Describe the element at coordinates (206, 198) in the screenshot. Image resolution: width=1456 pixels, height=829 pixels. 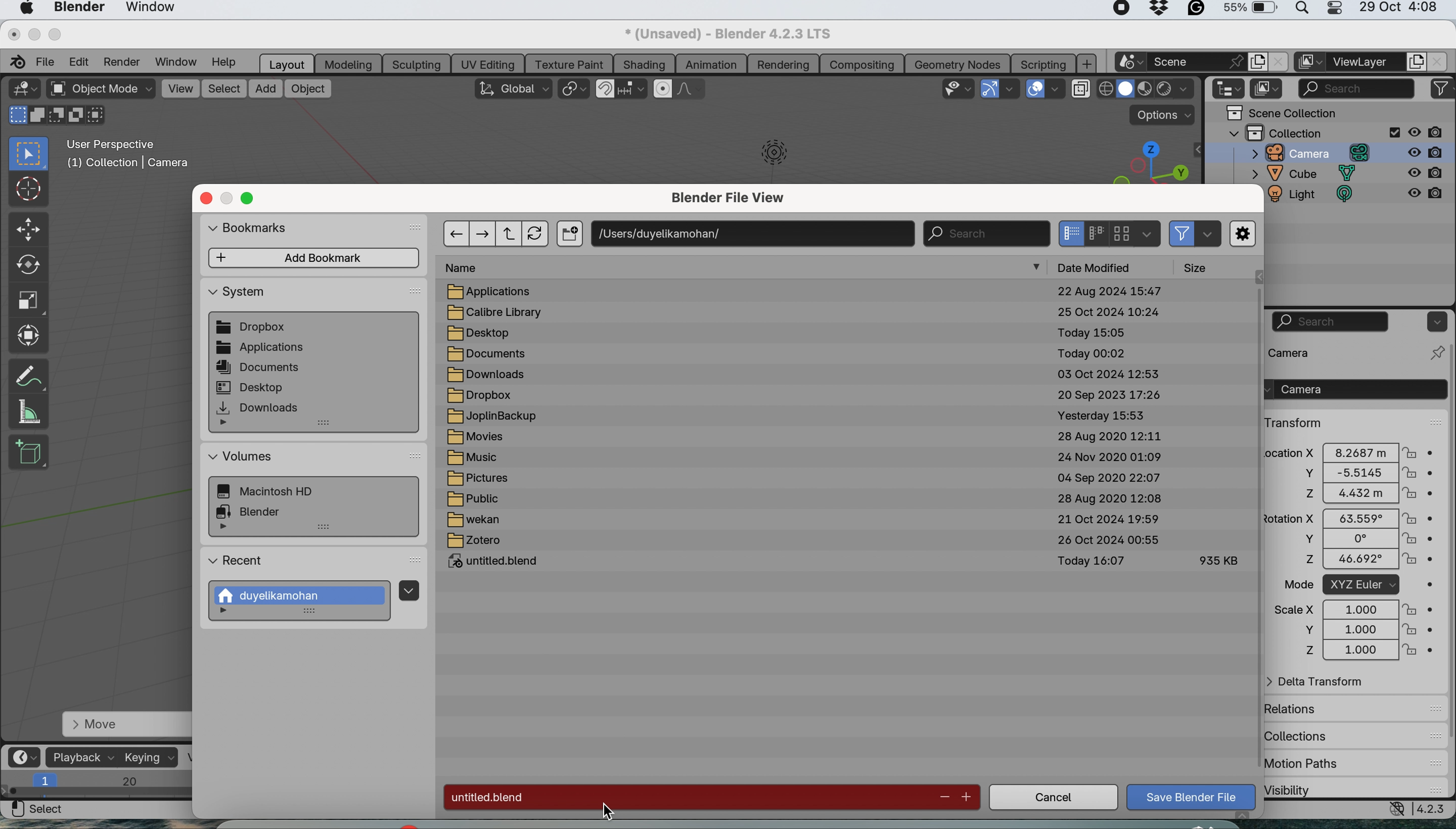
I see `close` at that location.